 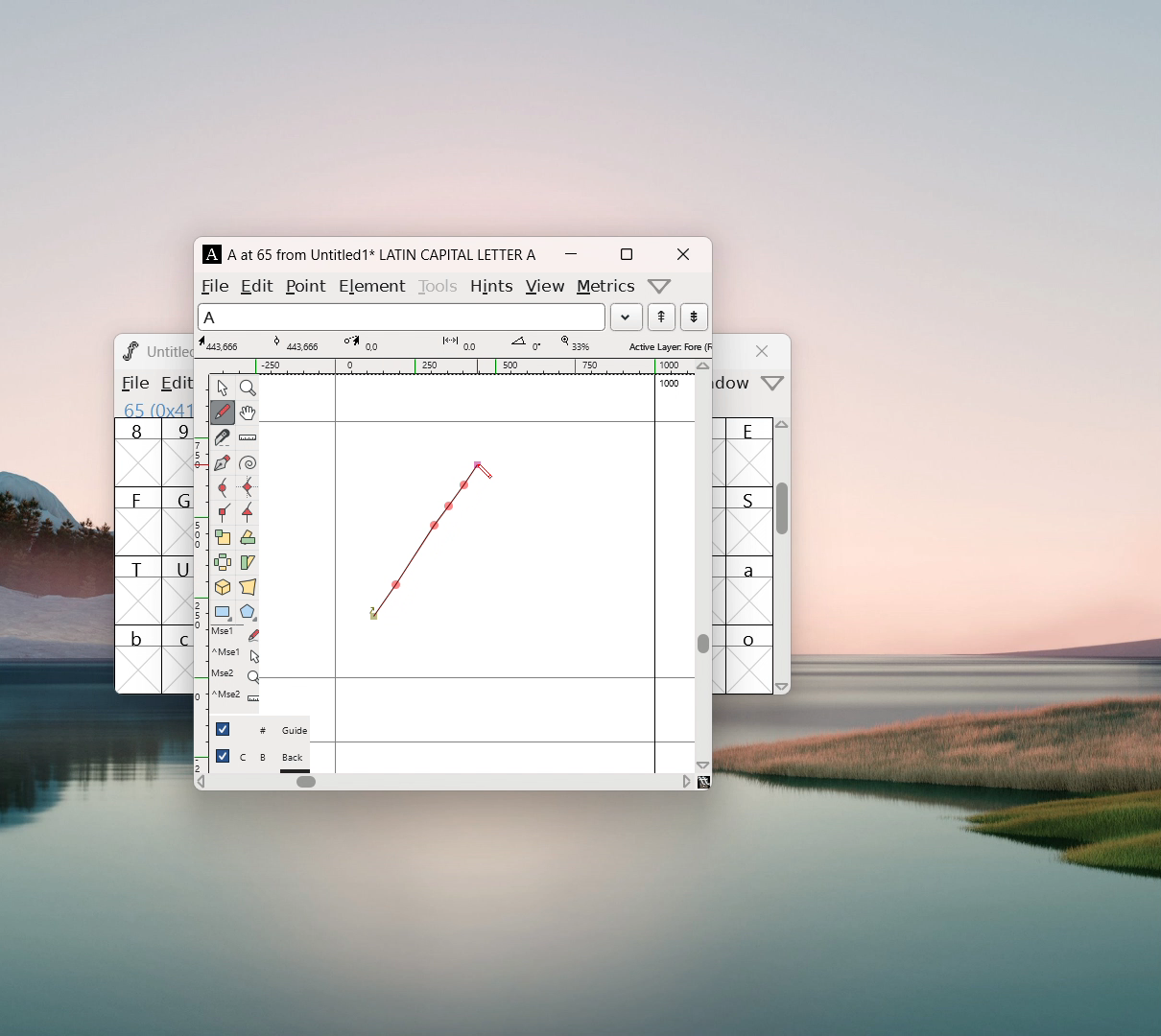 I want to click on close, so click(x=682, y=254).